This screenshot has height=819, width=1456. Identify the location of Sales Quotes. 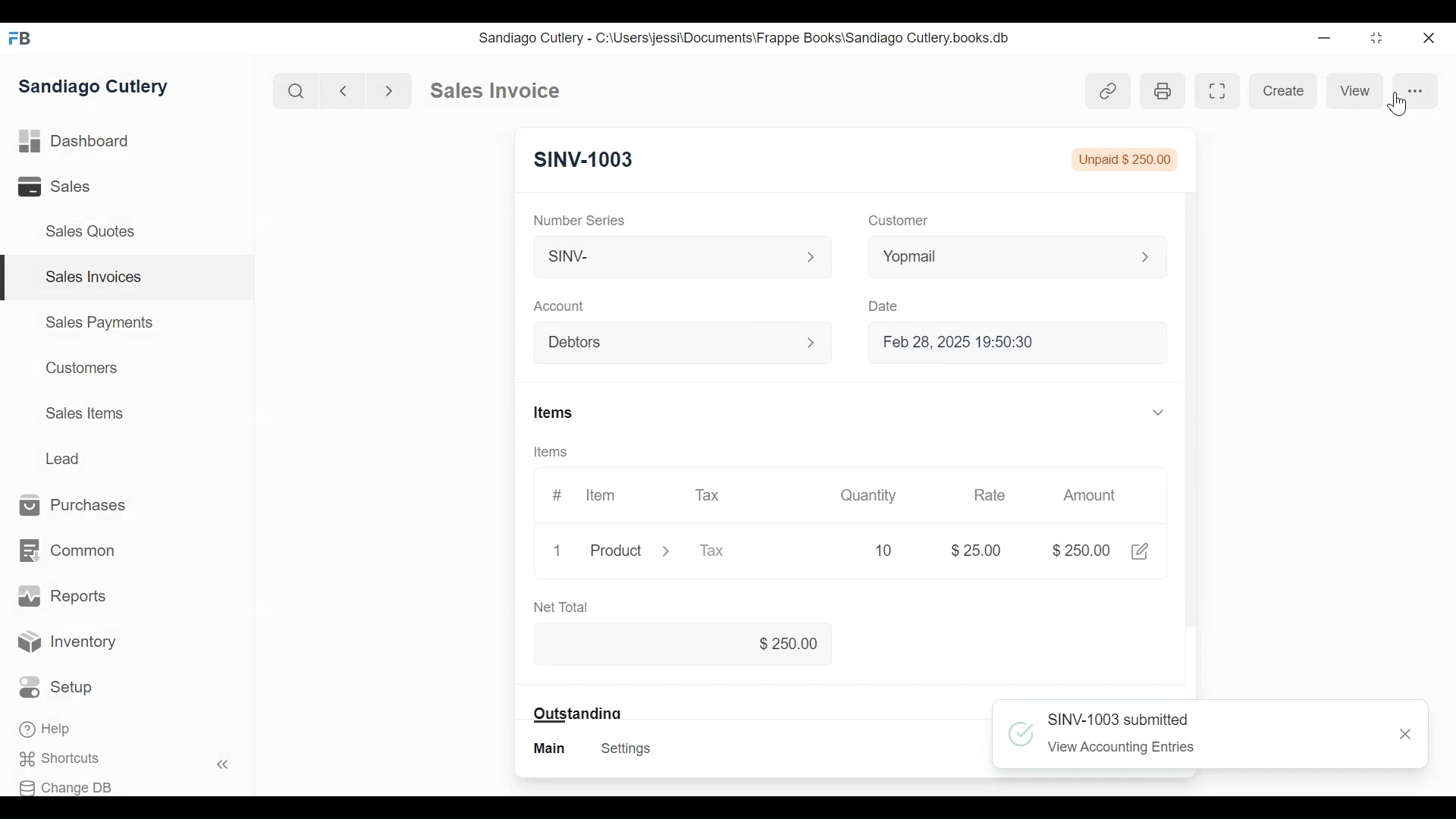
(96, 232).